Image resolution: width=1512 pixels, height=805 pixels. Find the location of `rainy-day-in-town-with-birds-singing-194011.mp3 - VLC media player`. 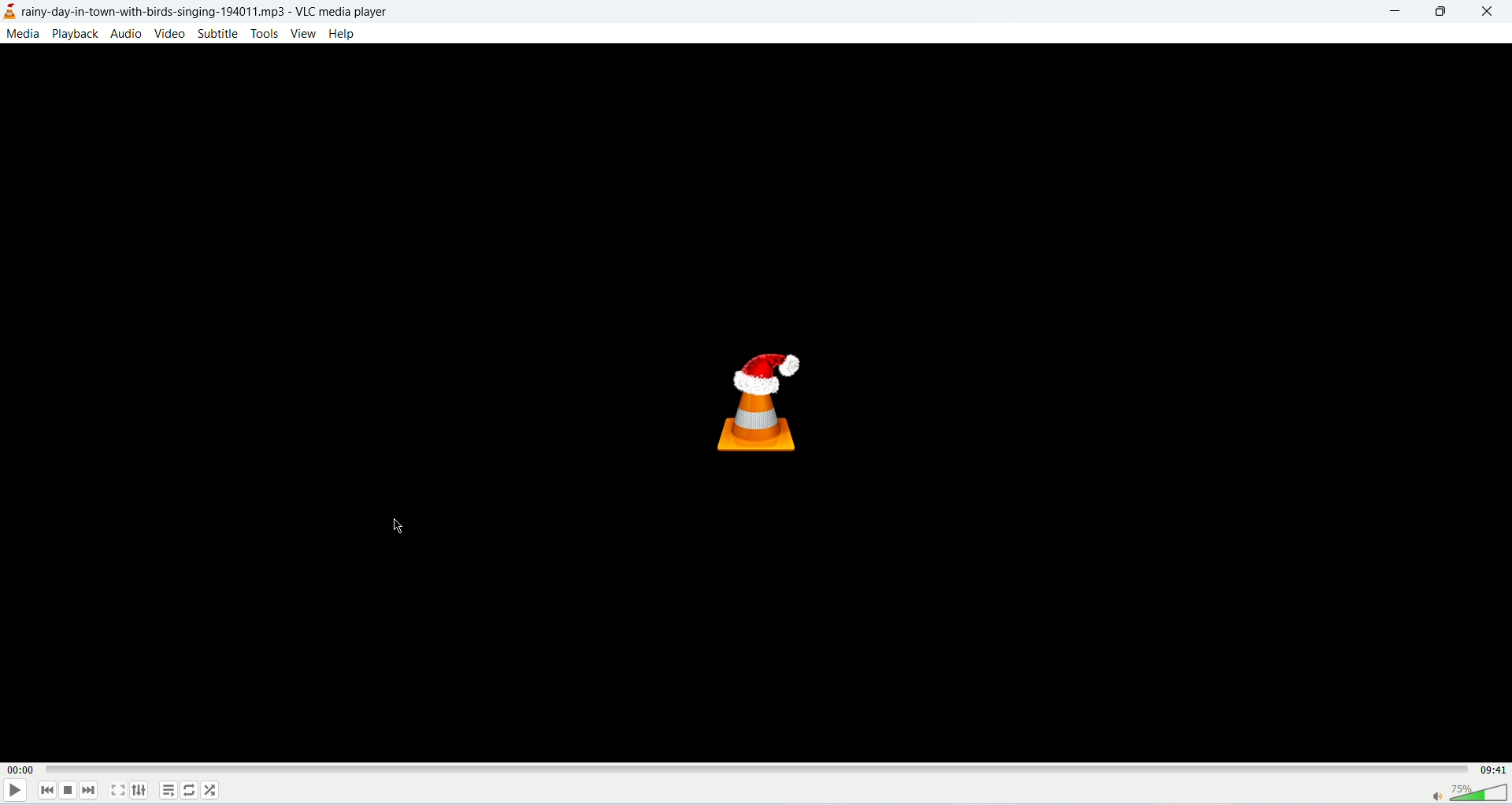

rainy-day-in-town-with-birds-singing-194011.mp3 - VLC media player is located at coordinates (232, 12).